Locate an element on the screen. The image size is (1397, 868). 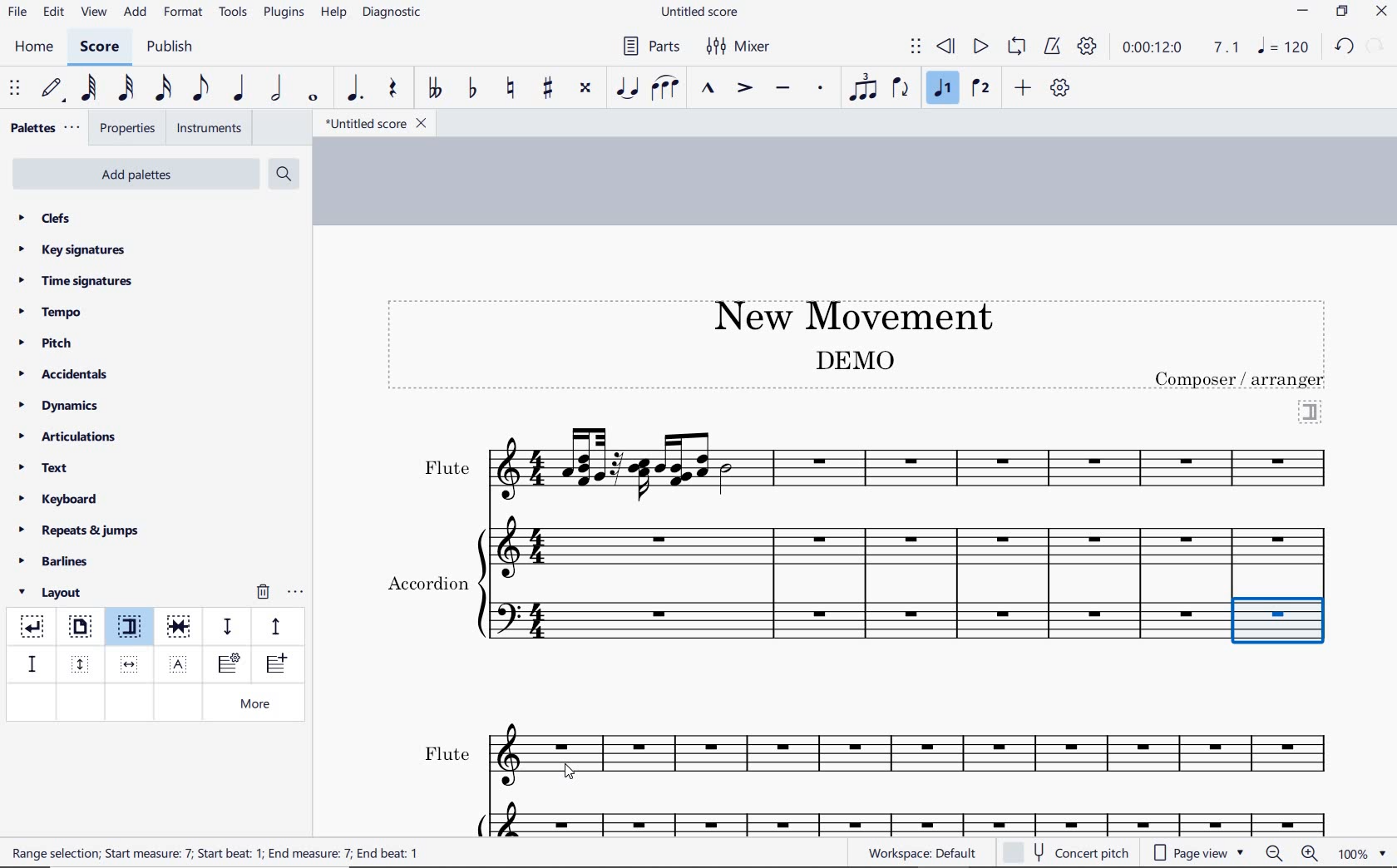
slur is located at coordinates (666, 89).